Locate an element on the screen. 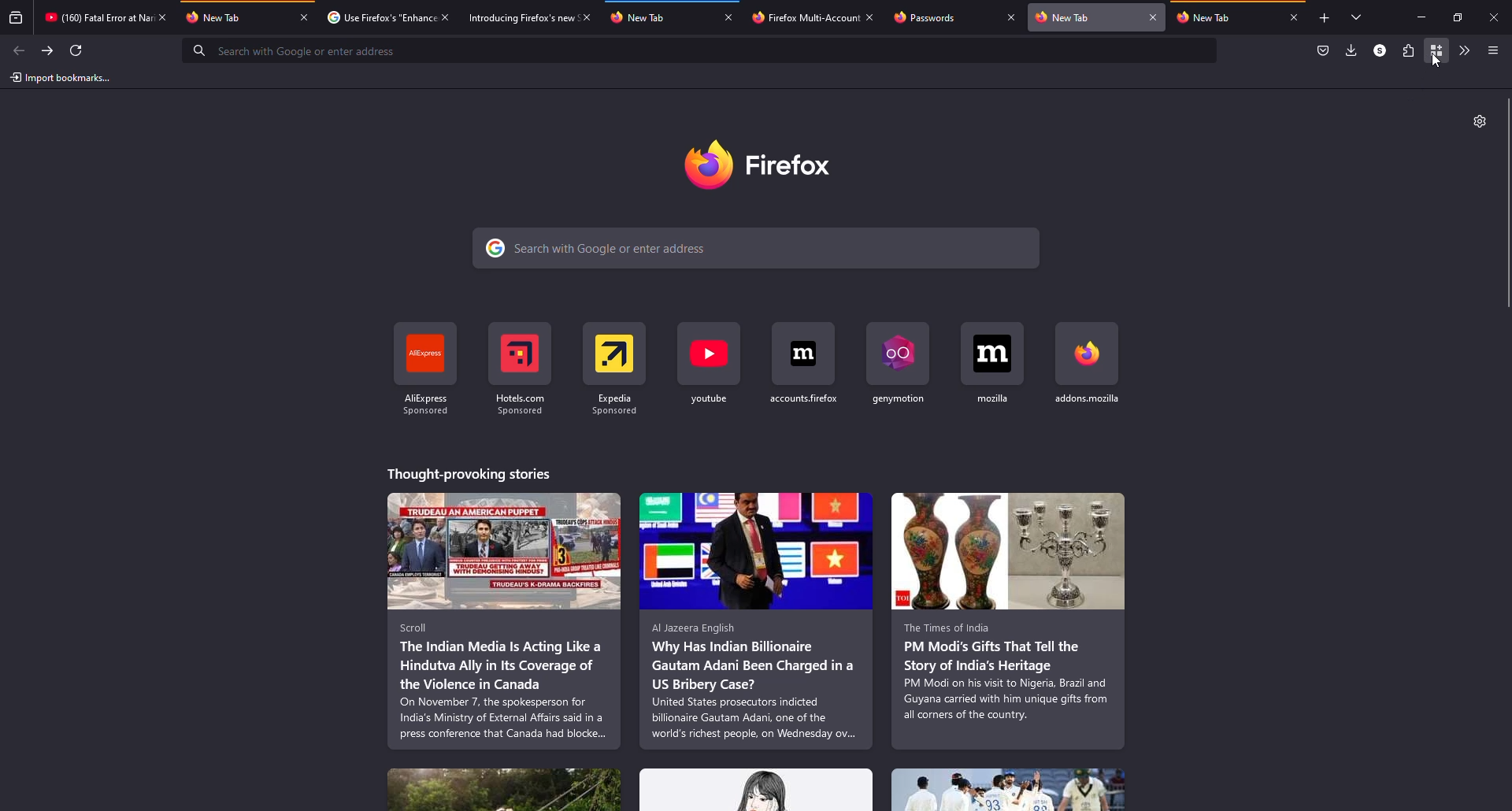  minimize is located at coordinates (1417, 17).